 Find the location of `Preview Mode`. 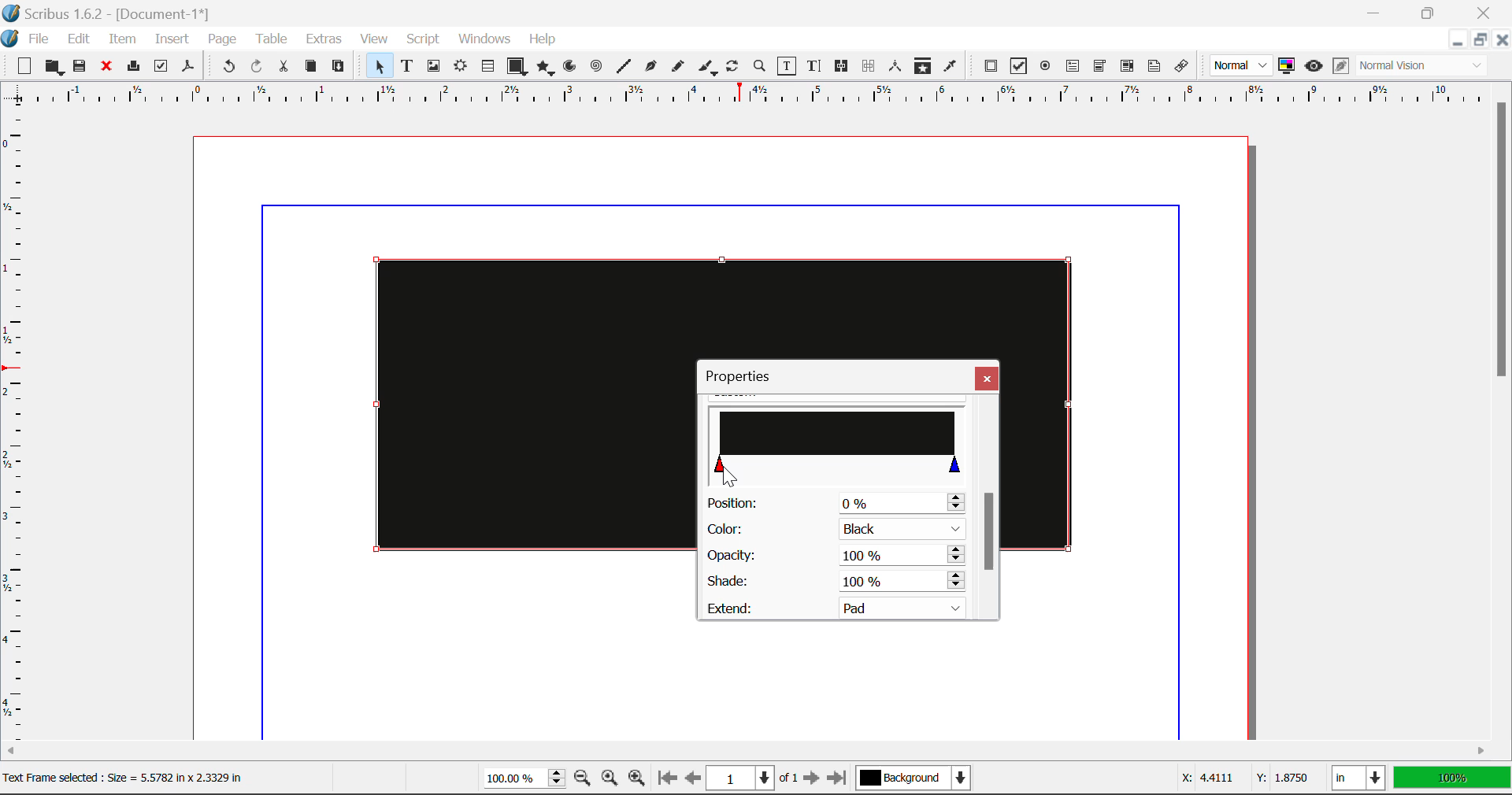

Preview Mode is located at coordinates (1241, 65).